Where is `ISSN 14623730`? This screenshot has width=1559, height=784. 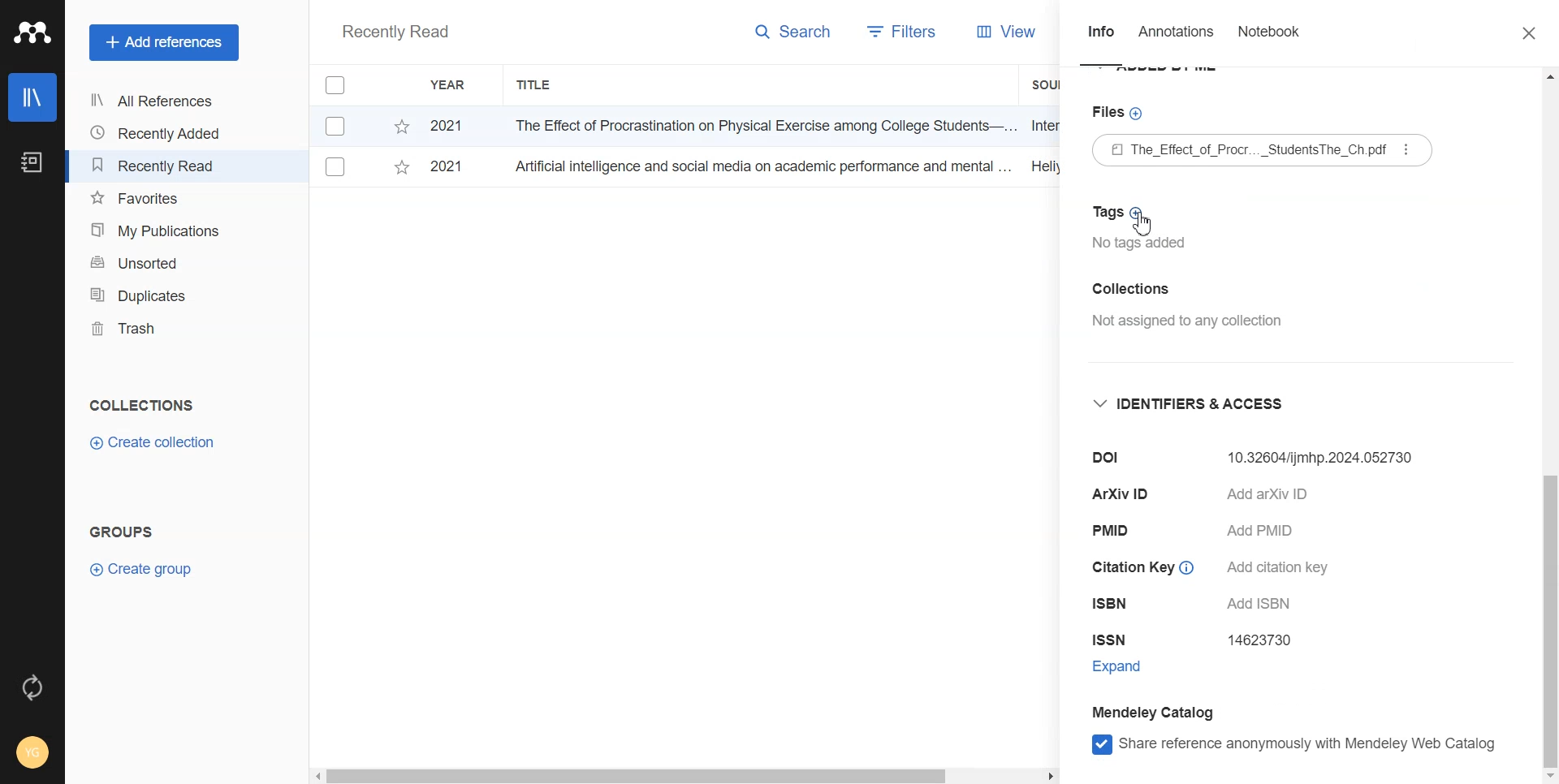 ISSN 14623730 is located at coordinates (1200, 640).